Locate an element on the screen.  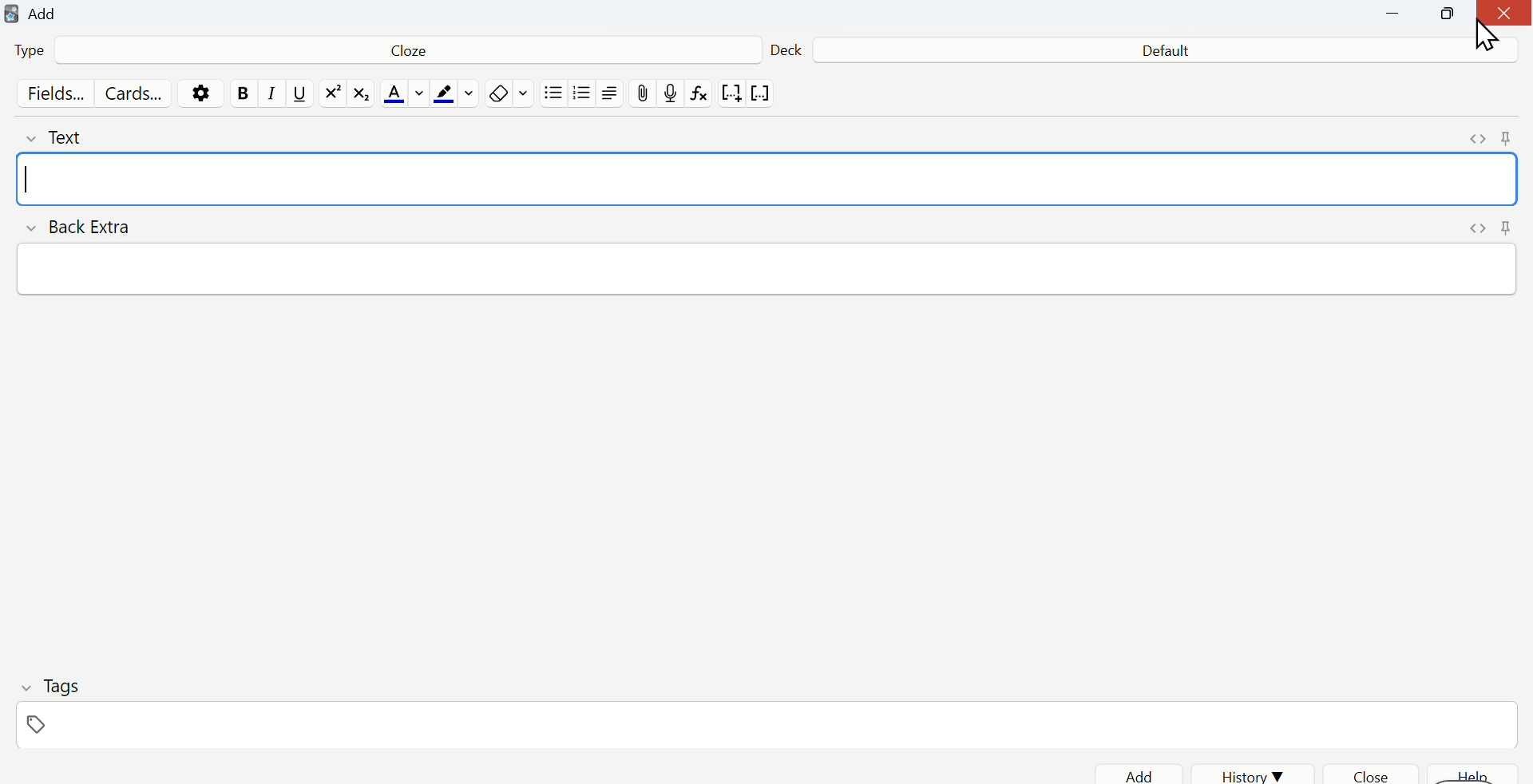
Pin is located at coordinates (1507, 228).